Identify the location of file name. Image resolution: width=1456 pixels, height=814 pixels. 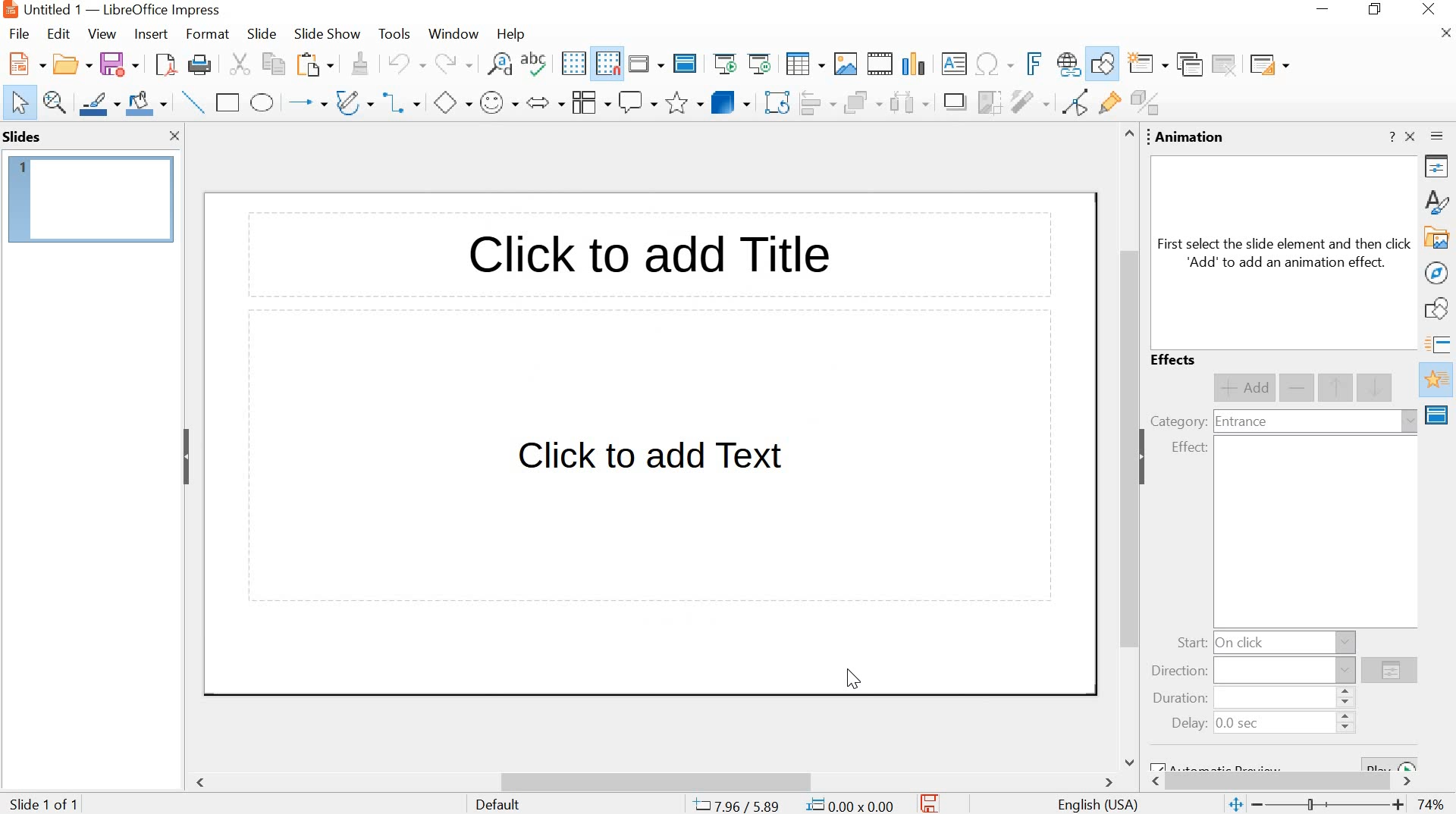
(53, 9).